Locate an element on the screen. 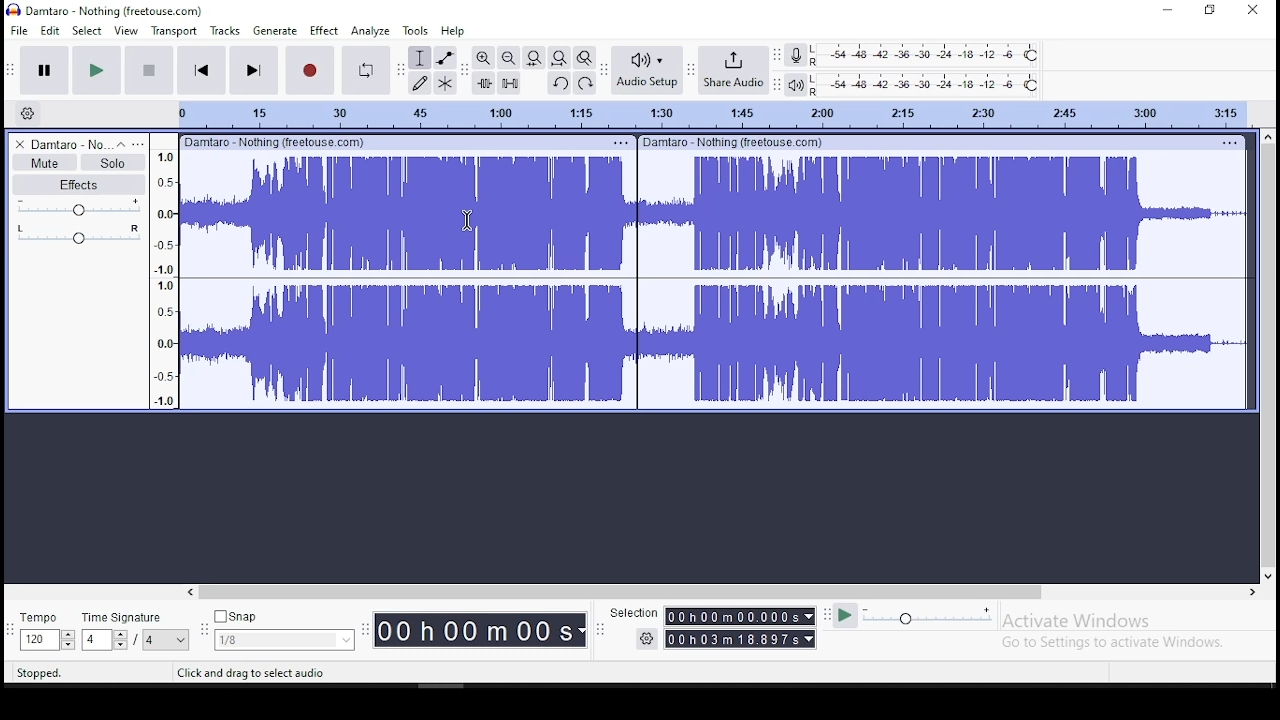  pan is located at coordinates (77, 236).